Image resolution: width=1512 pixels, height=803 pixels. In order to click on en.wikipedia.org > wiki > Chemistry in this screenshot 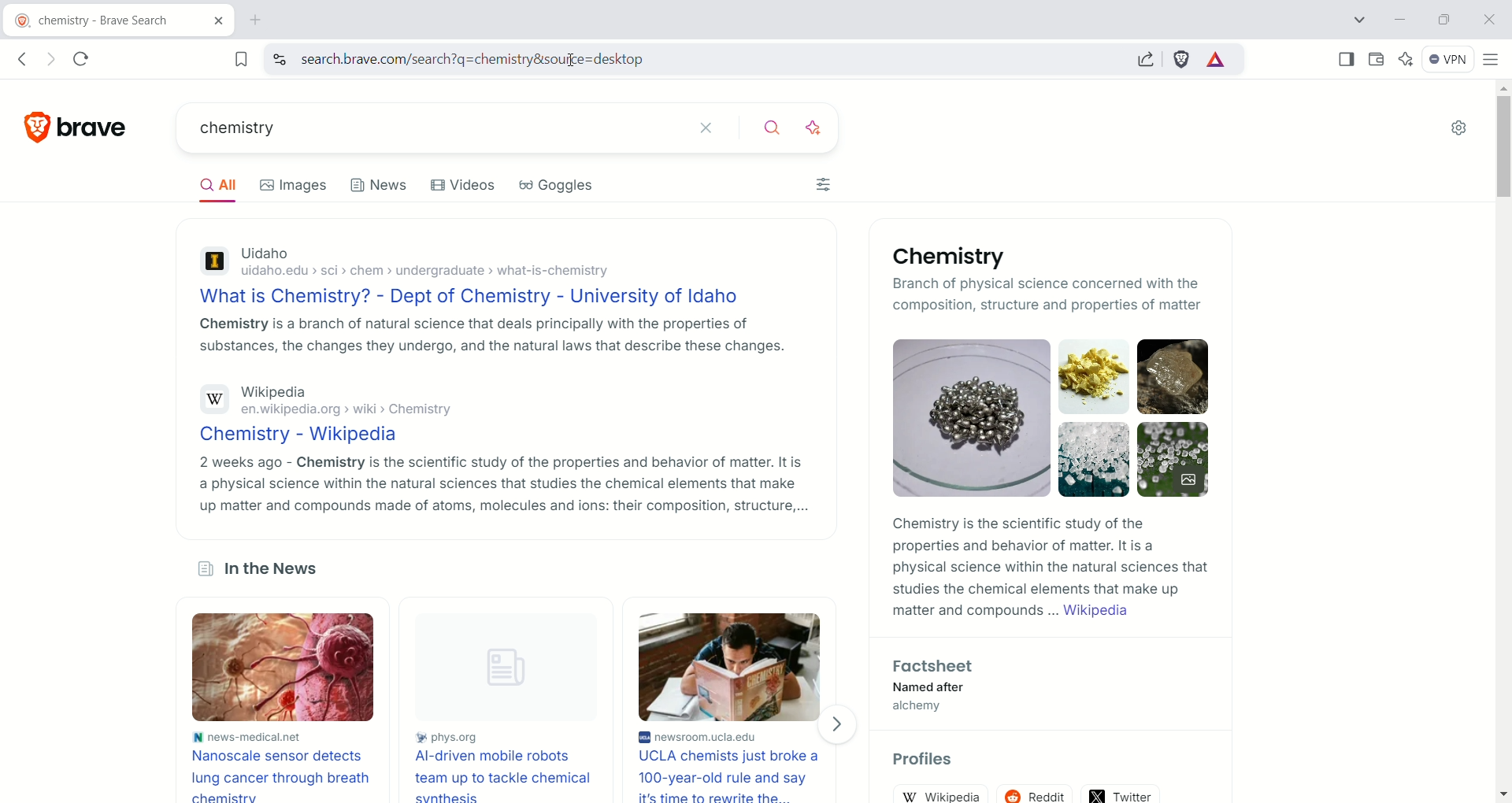, I will do `click(343, 411)`.